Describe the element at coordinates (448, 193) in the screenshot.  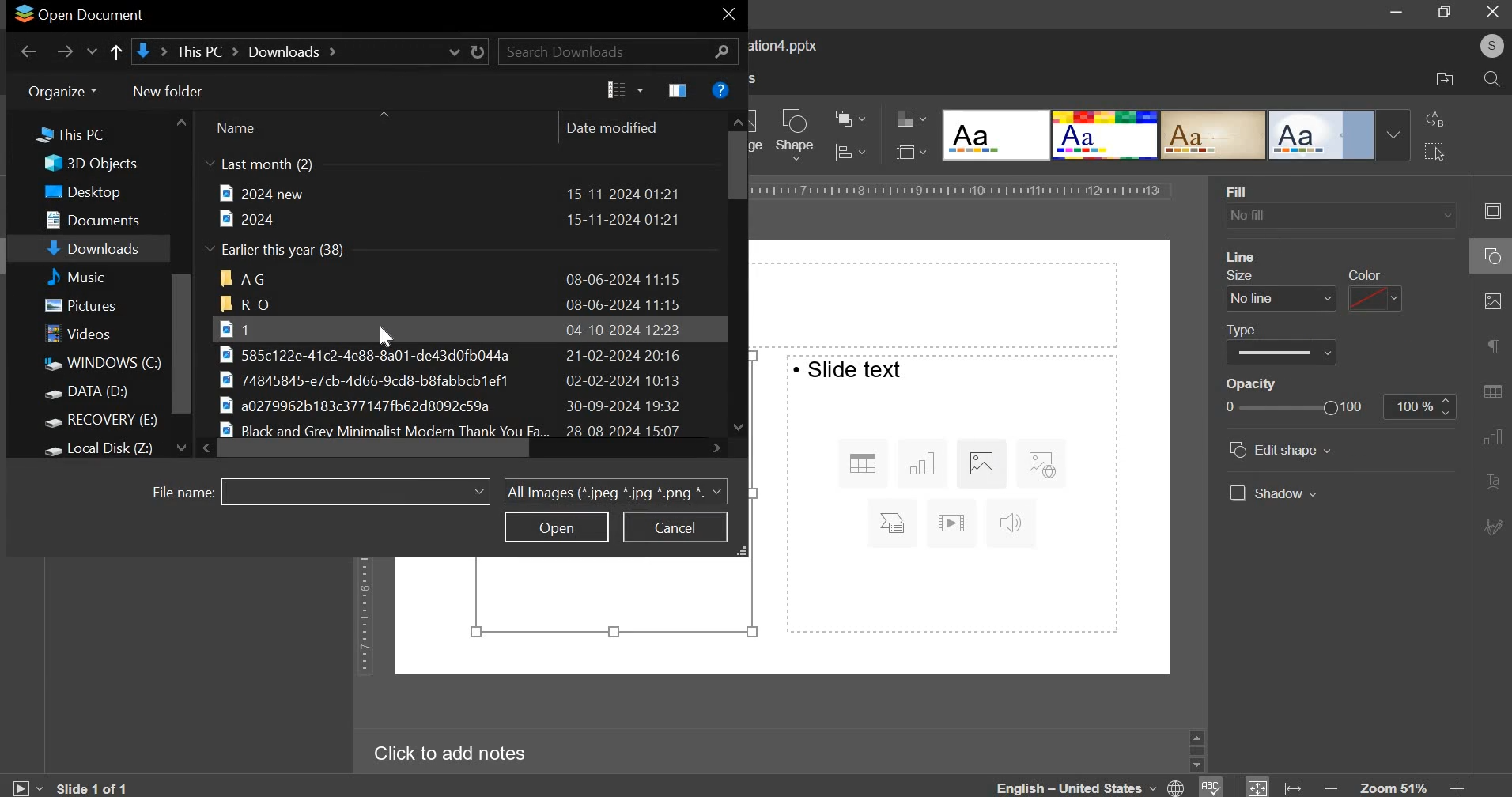
I see `file` at that location.